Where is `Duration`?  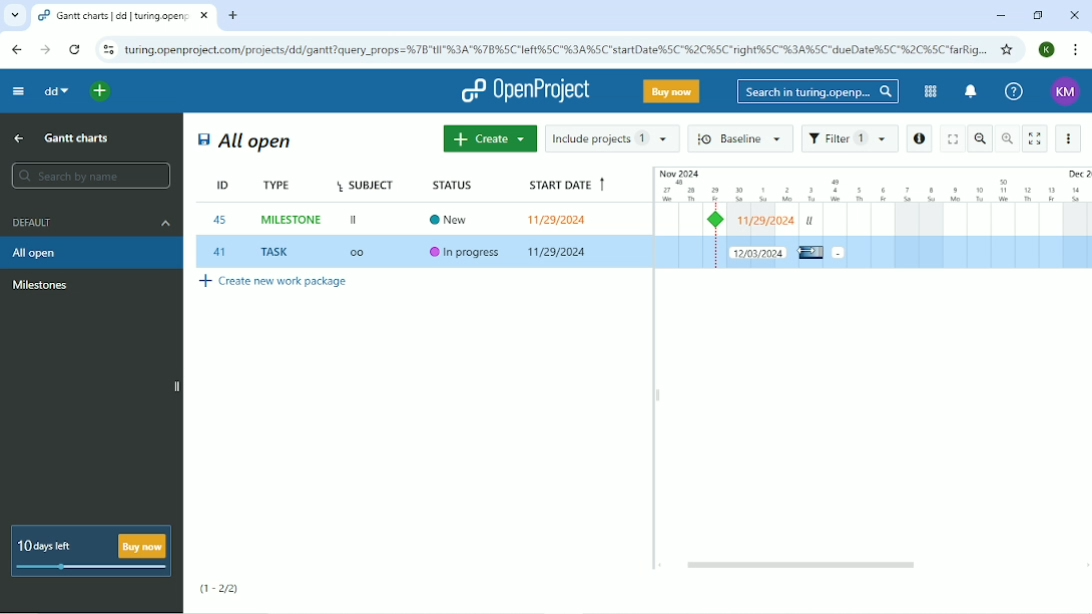 Duration is located at coordinates (872, 184).